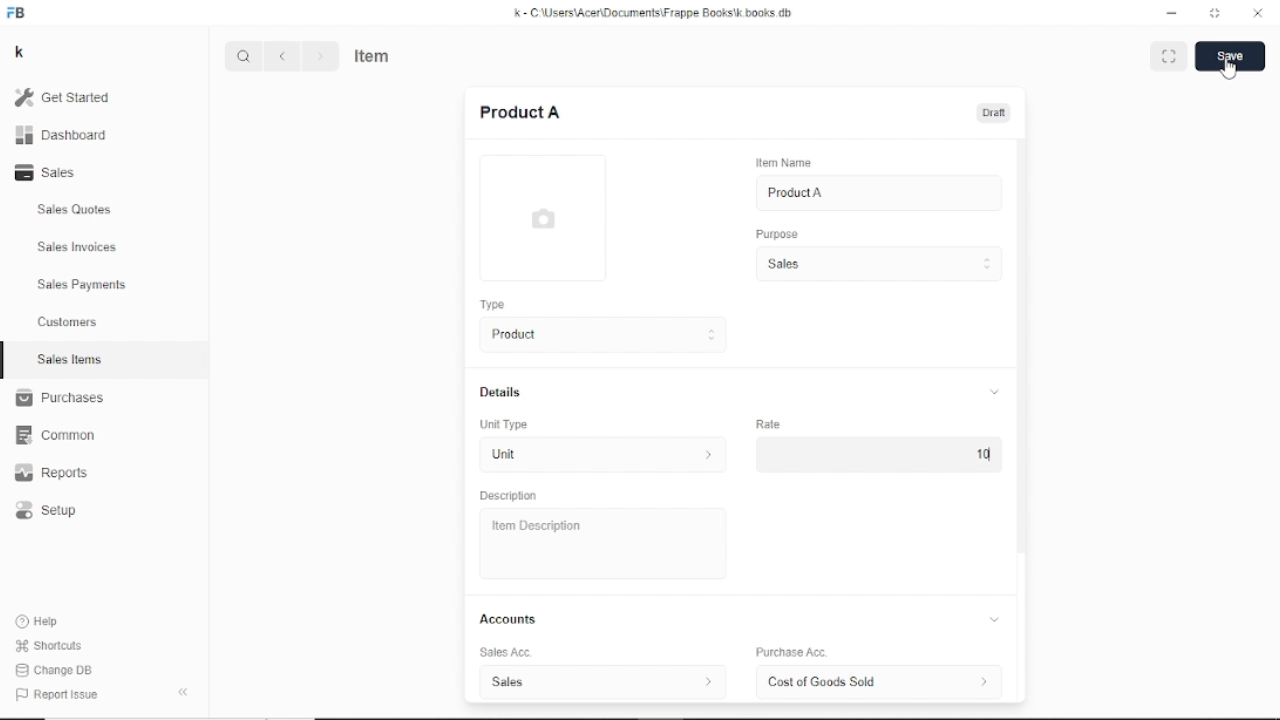  Describe the element at coordinates (598, 456) in the screenshot. I see `Unit` at that location.